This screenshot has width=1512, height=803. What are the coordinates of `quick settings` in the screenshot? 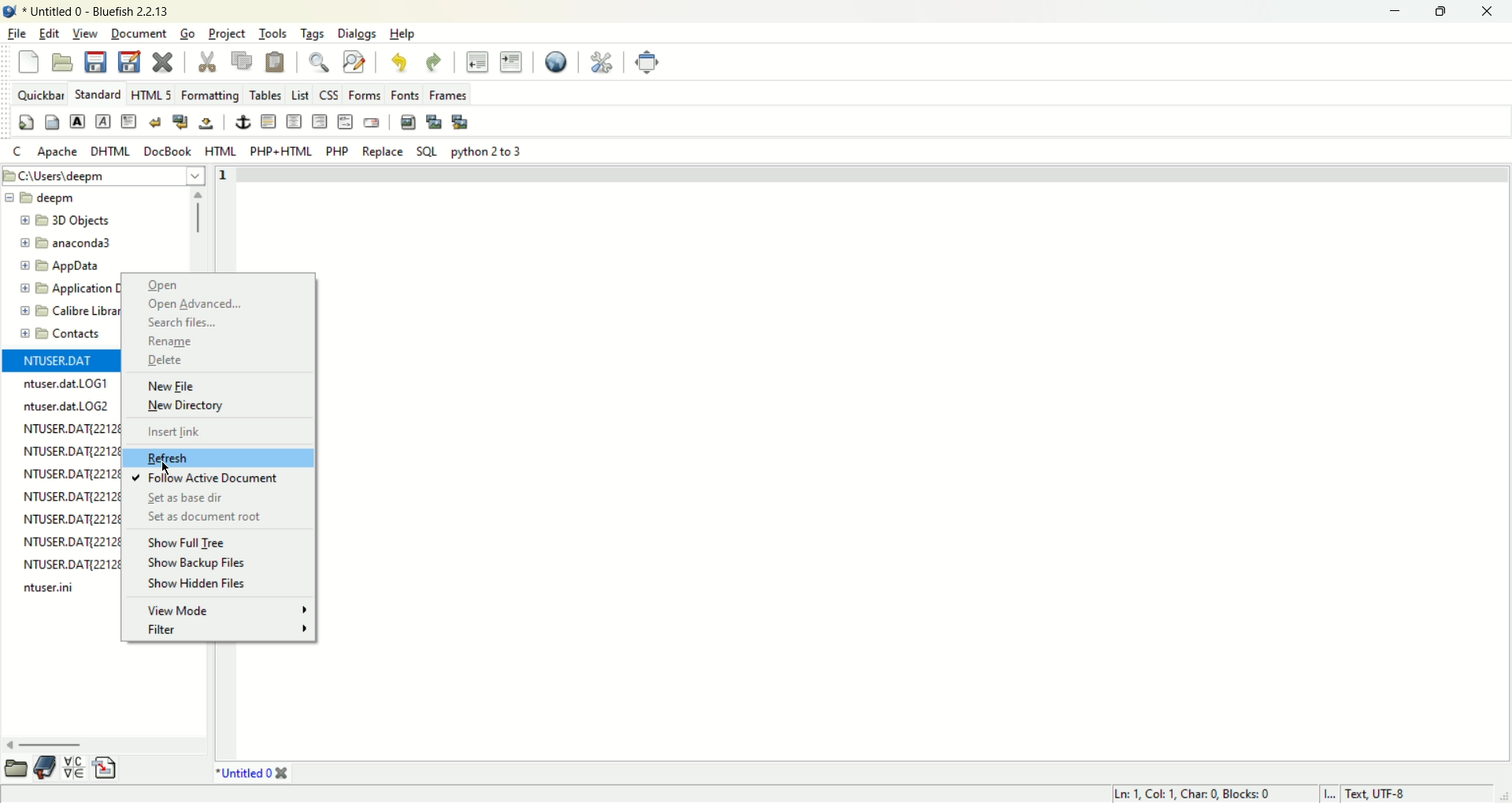 It's located at (27, 121).